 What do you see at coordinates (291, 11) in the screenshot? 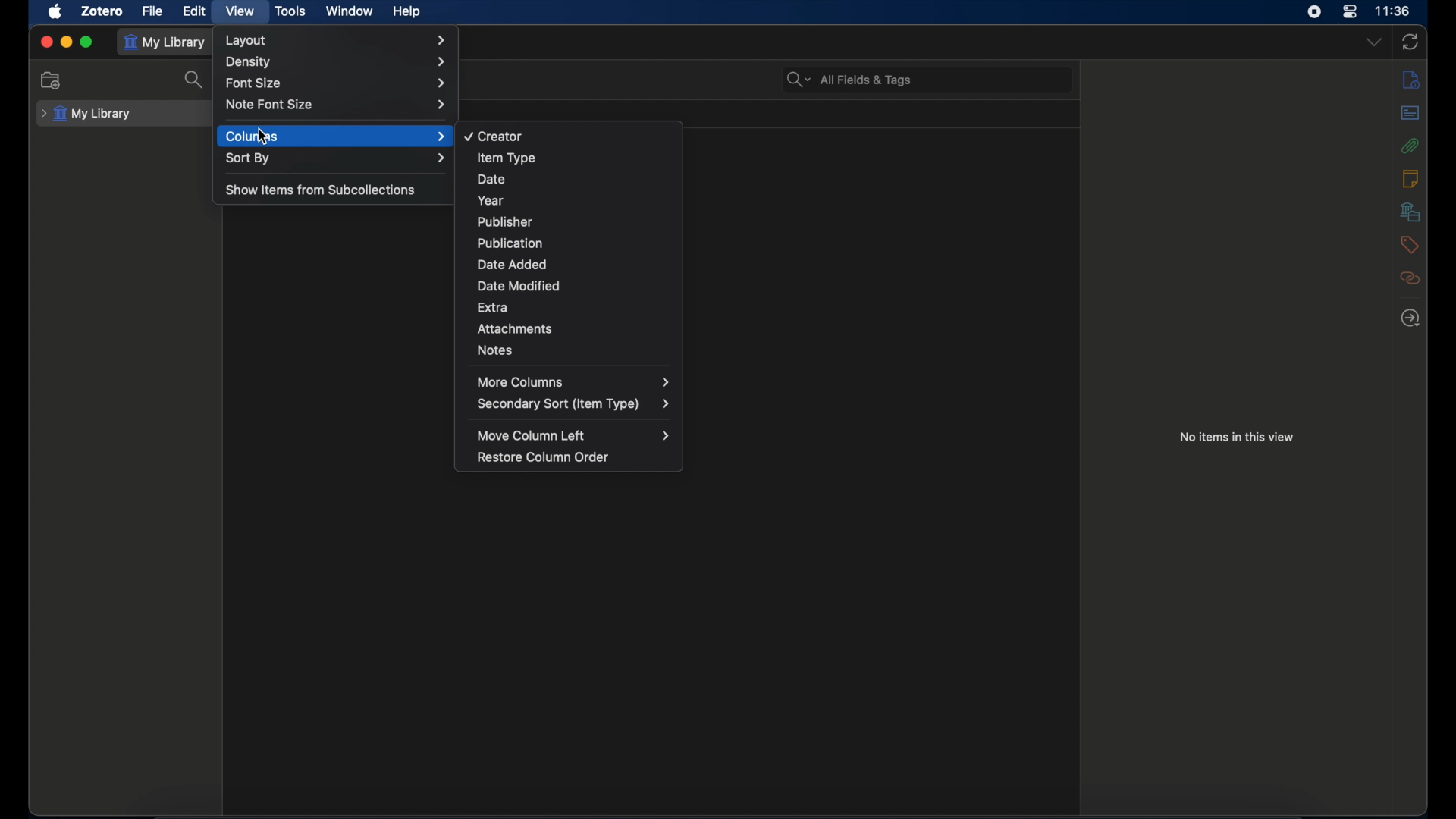
I see `tools` at bounding box center [291, 11].